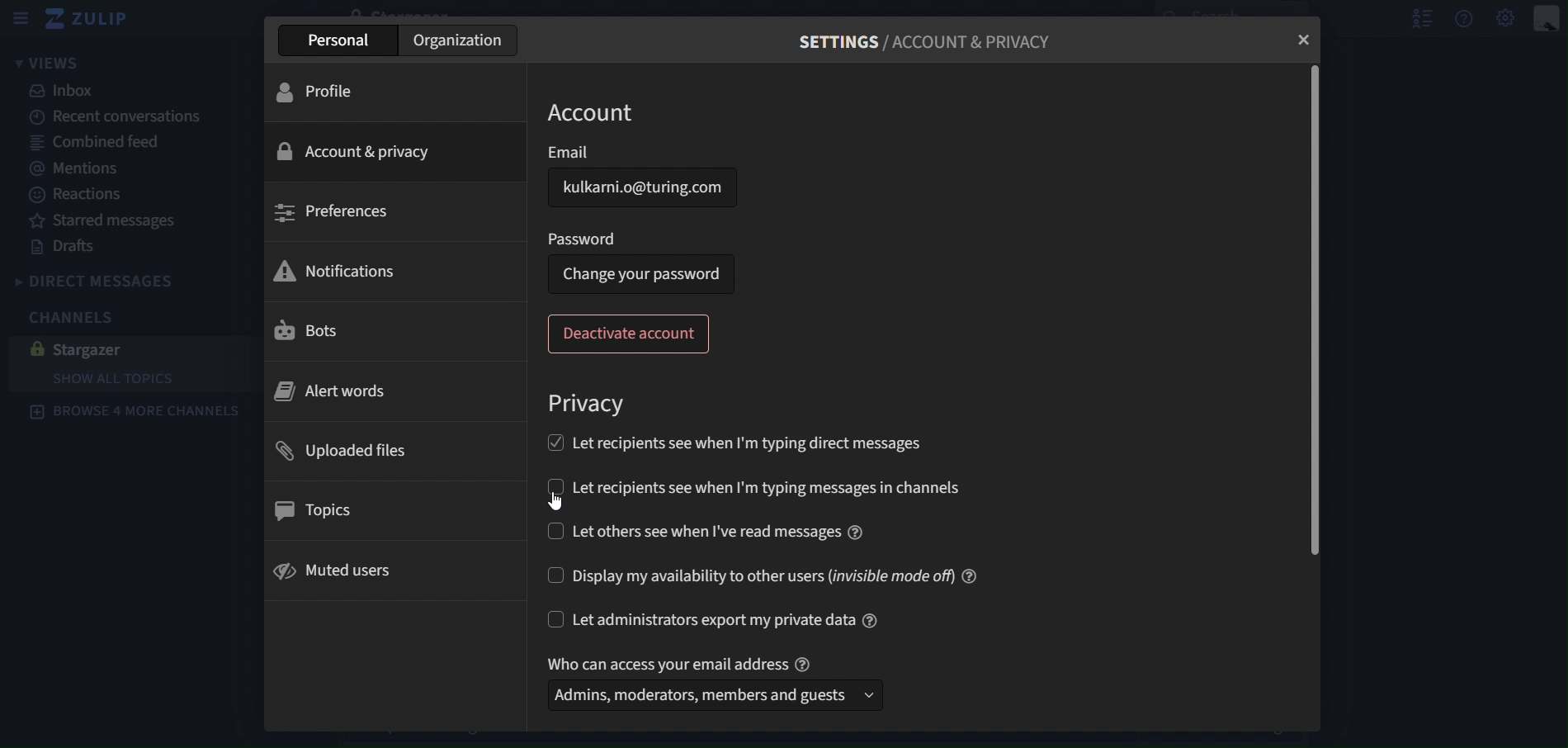  What do you see at coordinates (73, 317) in the screenshot?
I see `channels` at bounding box center [73, 317].